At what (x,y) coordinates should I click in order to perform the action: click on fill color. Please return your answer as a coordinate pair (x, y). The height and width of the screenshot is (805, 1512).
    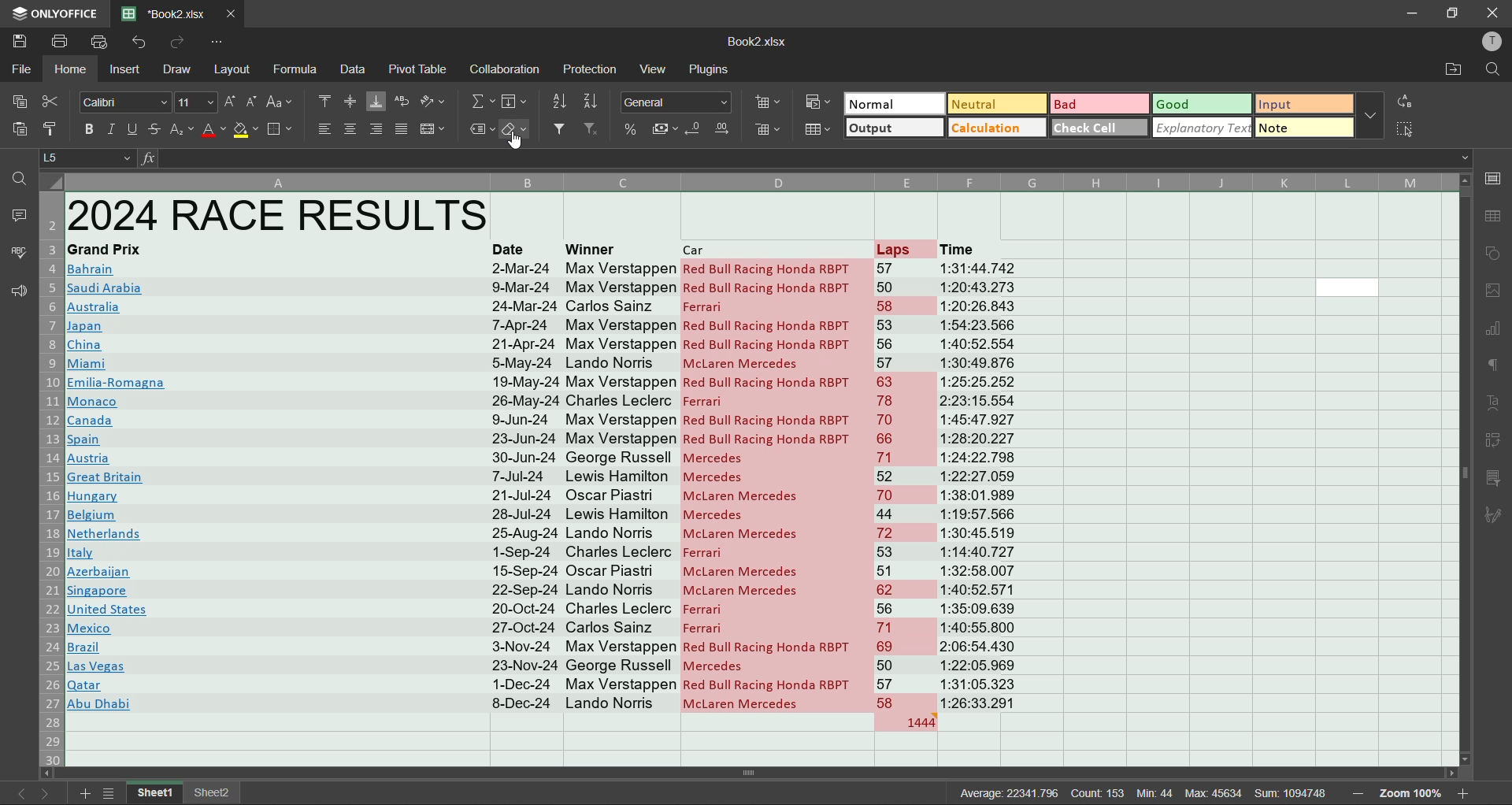
    Looking at the image, I should click on (246, 128).